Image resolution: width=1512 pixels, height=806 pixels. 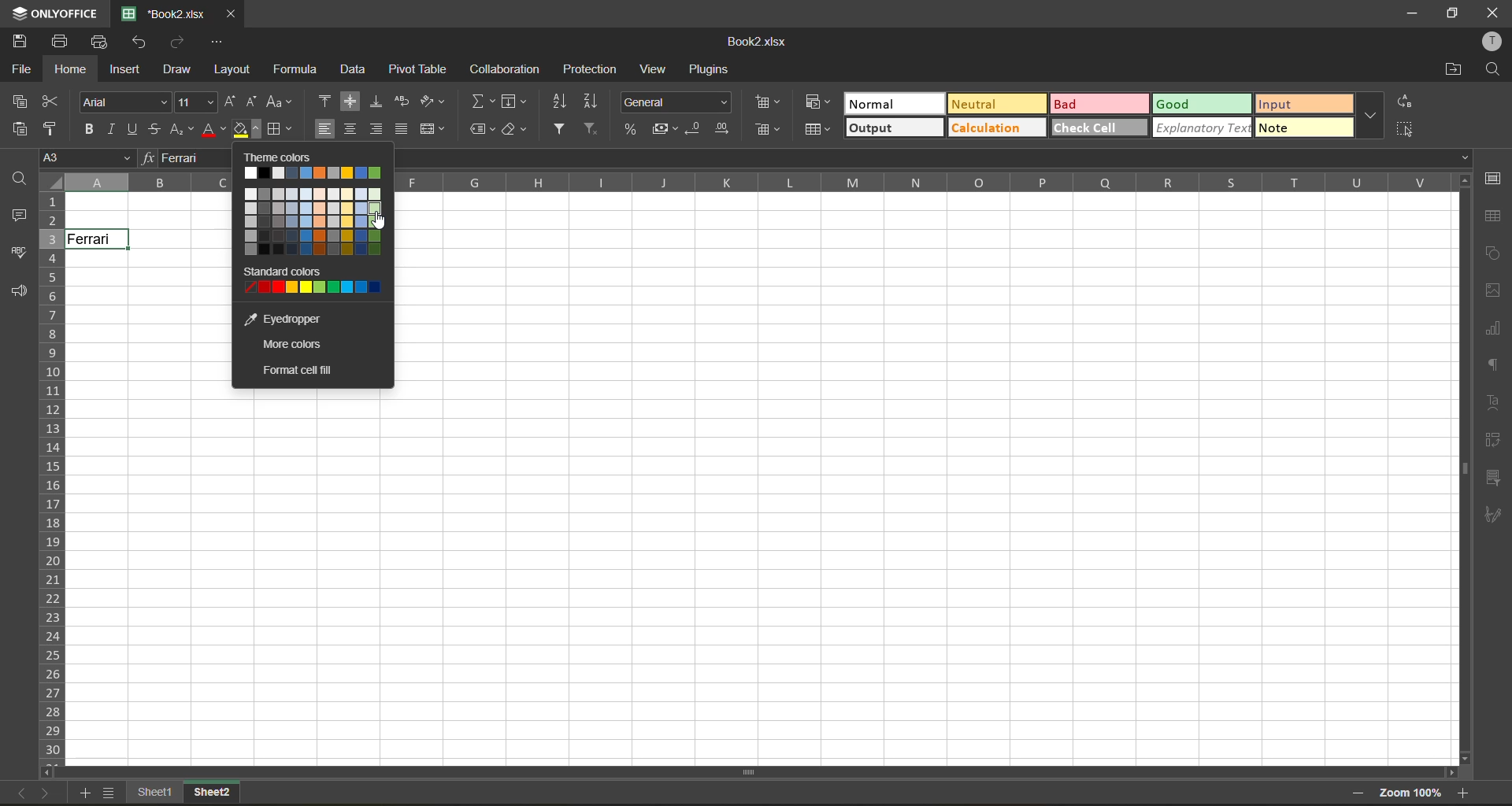 What do you see at coordinates (512, 102) in the screenshot?
I see `fields` at bounding box center [512, 102].